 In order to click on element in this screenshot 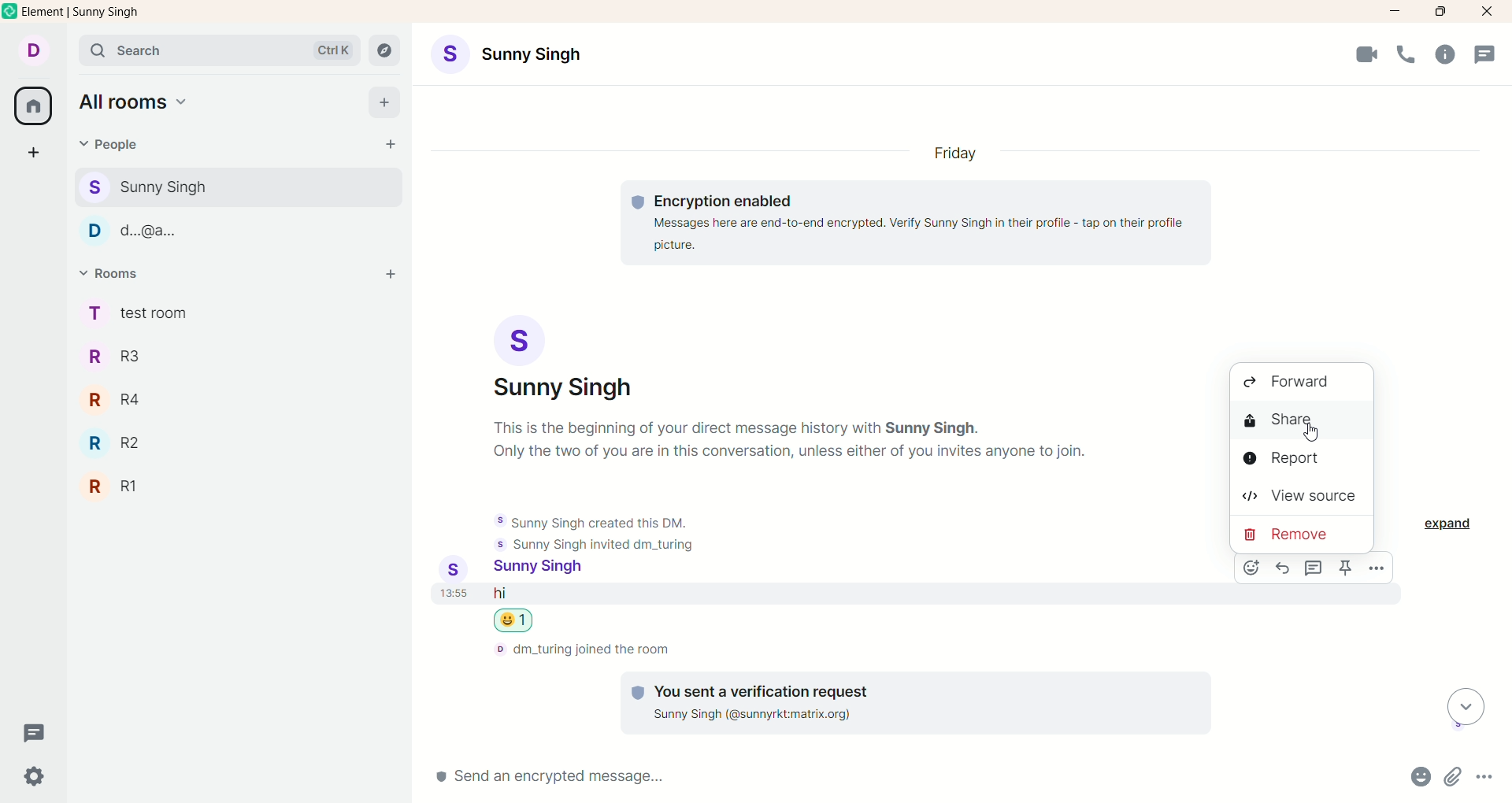, I will do `click(81, 14)`.